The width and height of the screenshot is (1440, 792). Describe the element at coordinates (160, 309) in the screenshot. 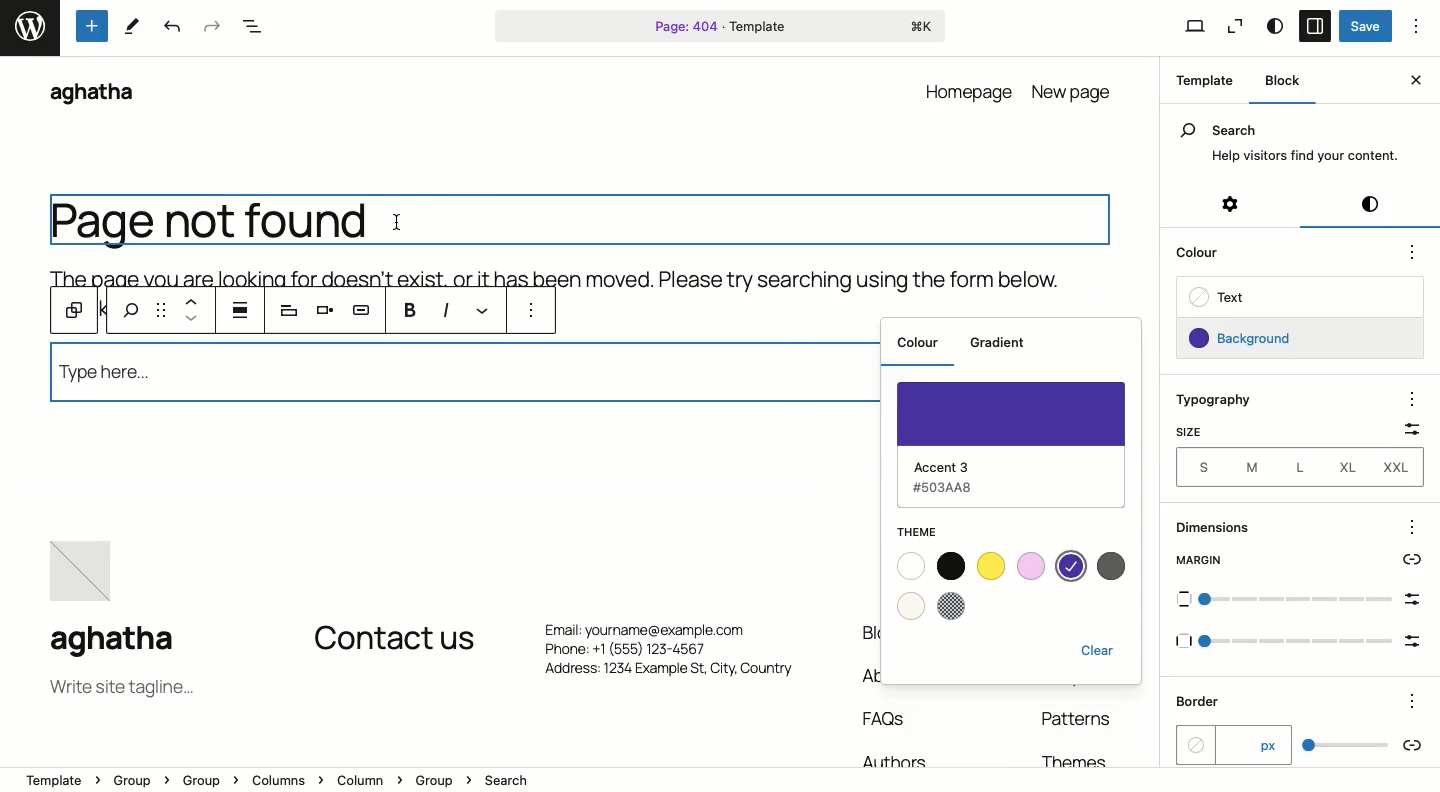

I see `Drag` at that location.